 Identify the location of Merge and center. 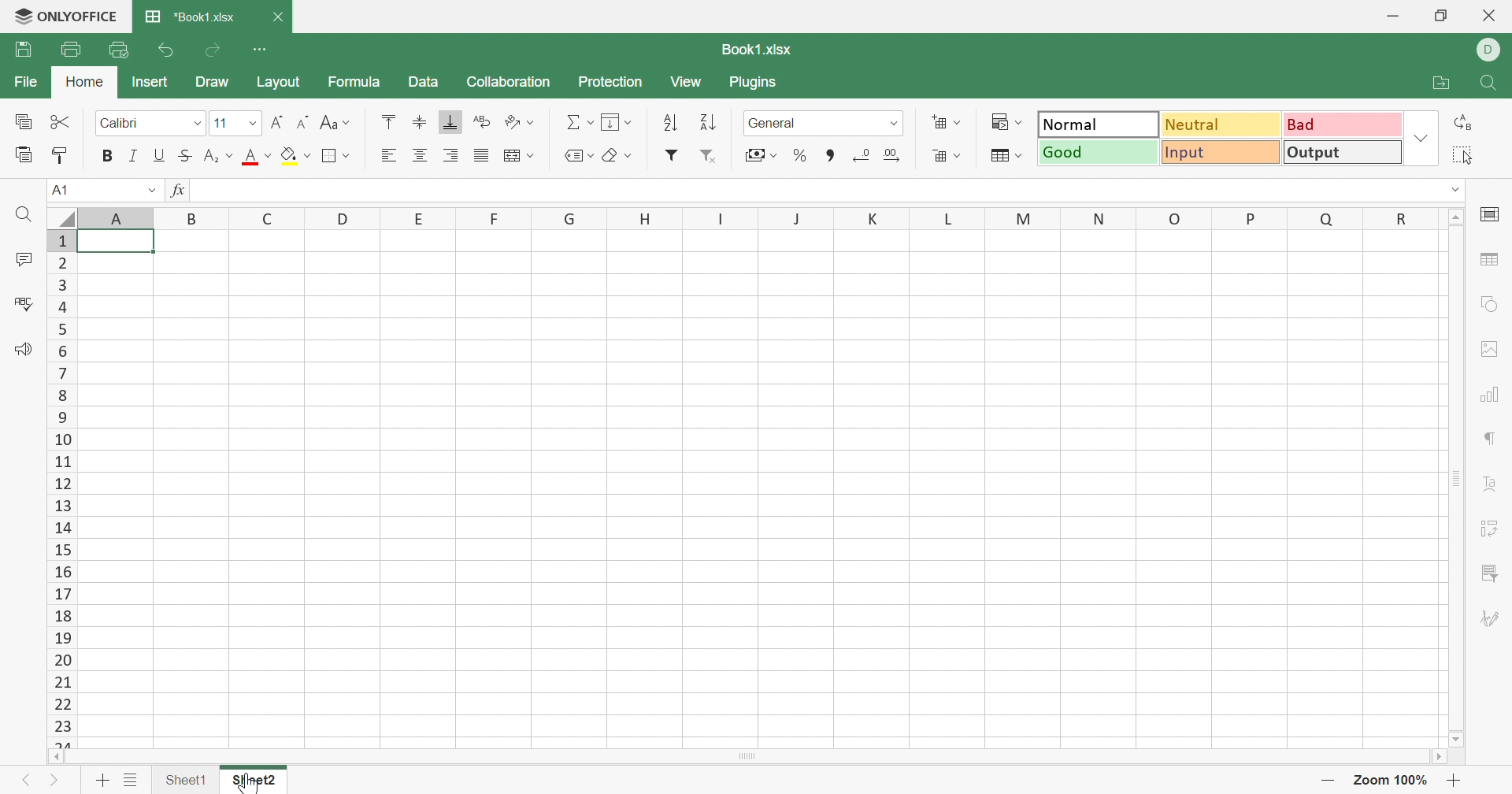
(514, 155).